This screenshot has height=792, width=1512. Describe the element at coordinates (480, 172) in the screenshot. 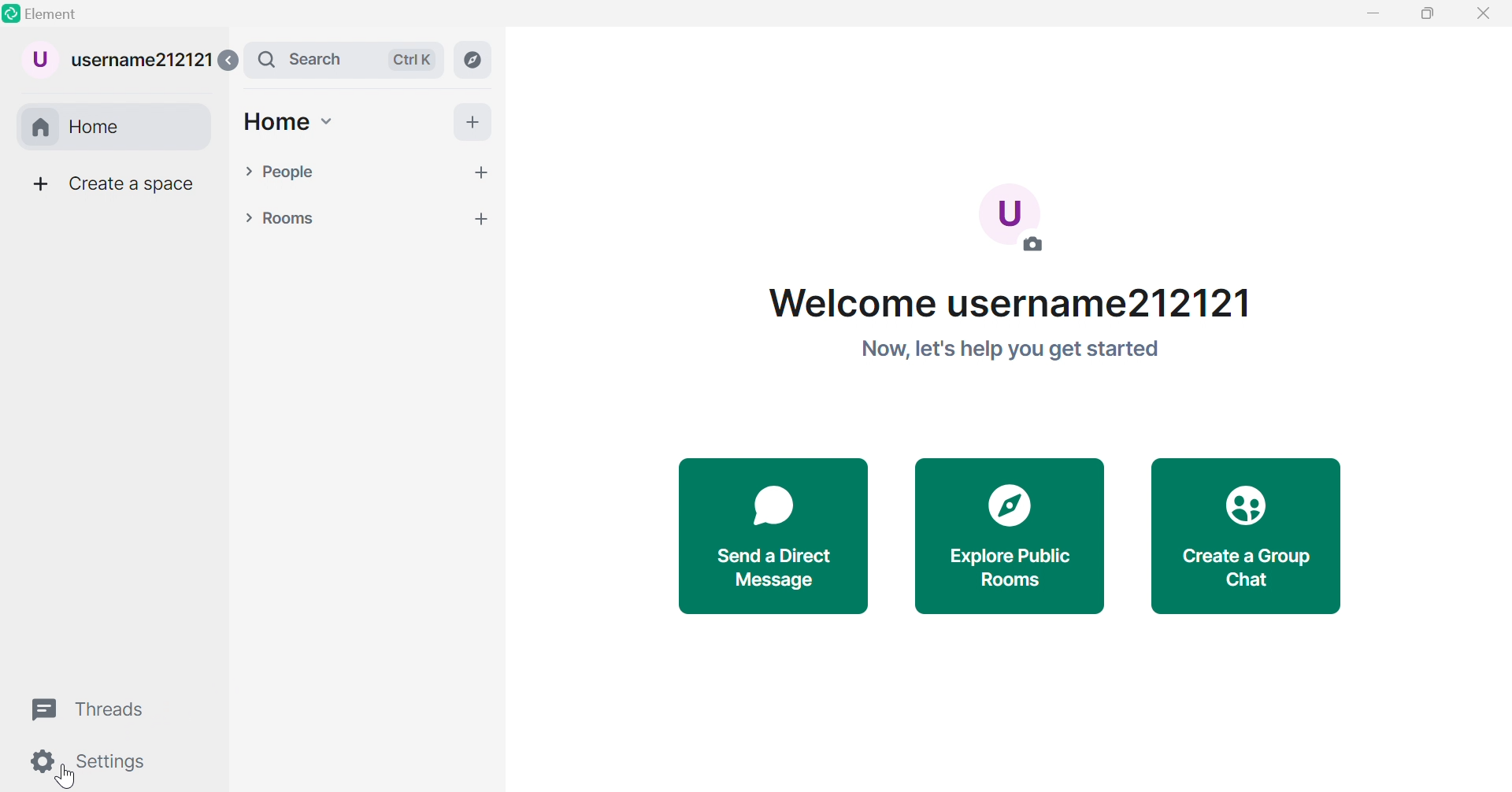

I see `more` at that location.